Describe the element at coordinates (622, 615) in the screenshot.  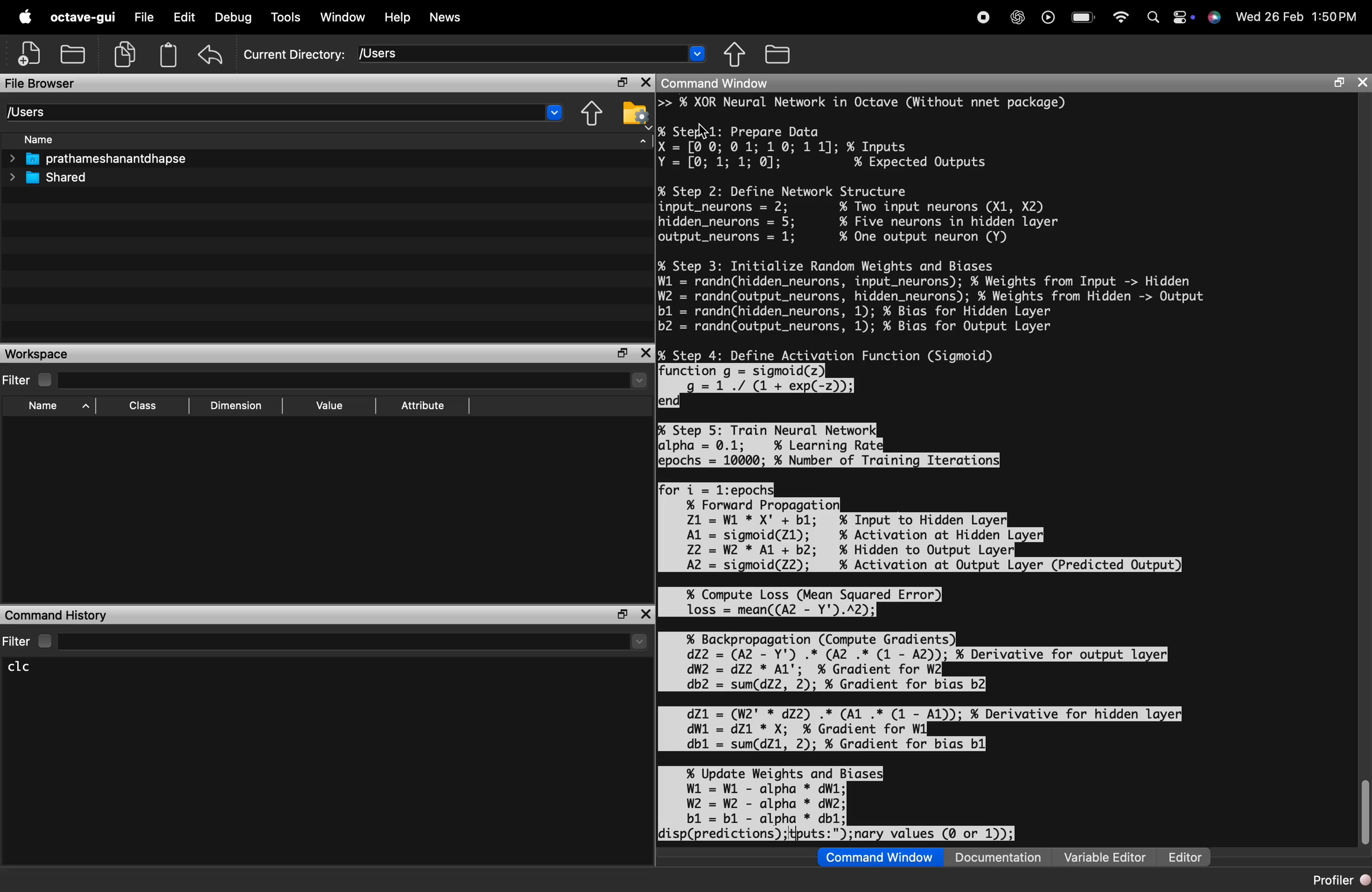
I see `Maximize` at that location.